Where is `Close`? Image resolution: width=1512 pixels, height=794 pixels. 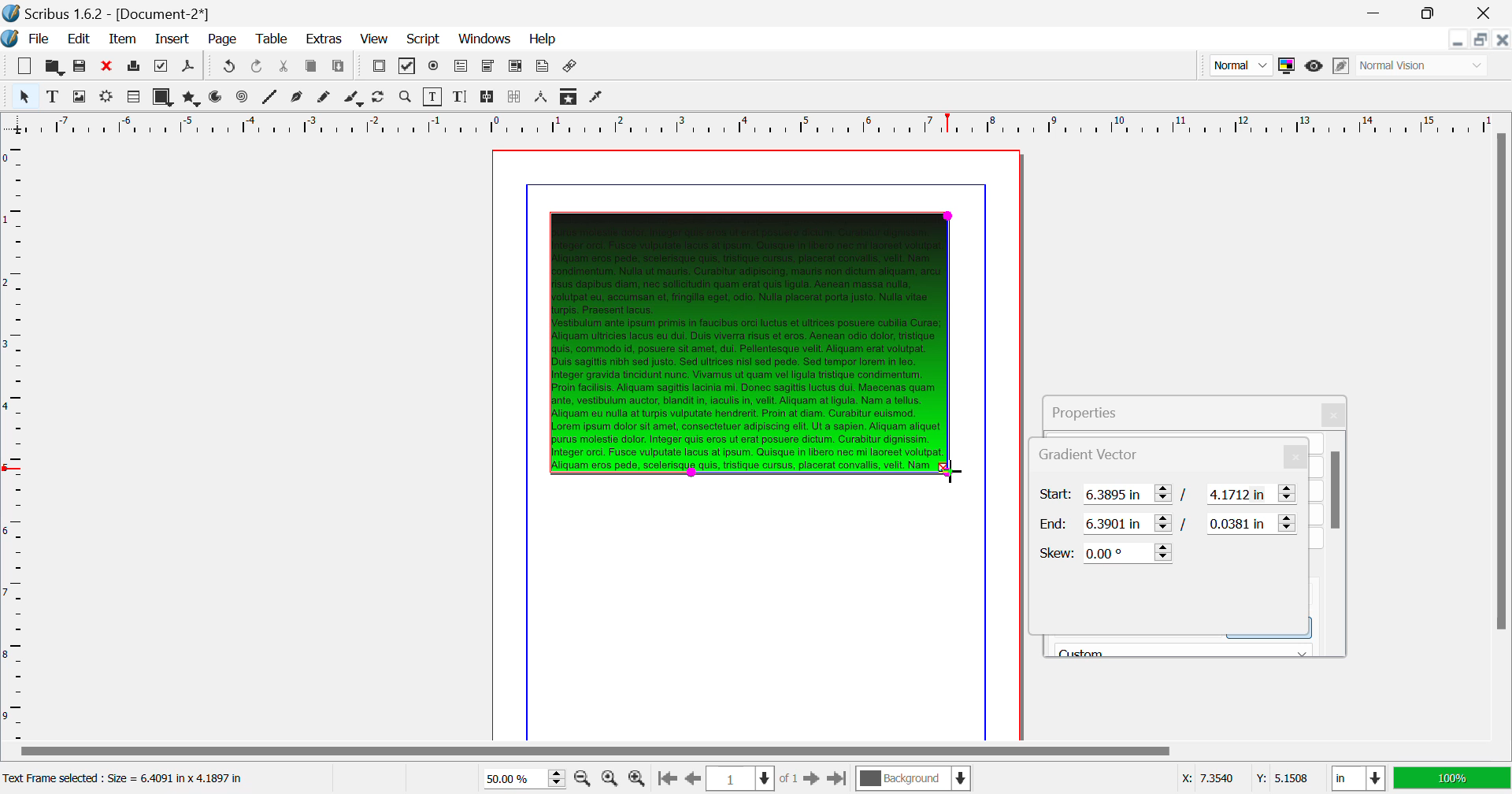
Close is located at coordinates (1488, 13).